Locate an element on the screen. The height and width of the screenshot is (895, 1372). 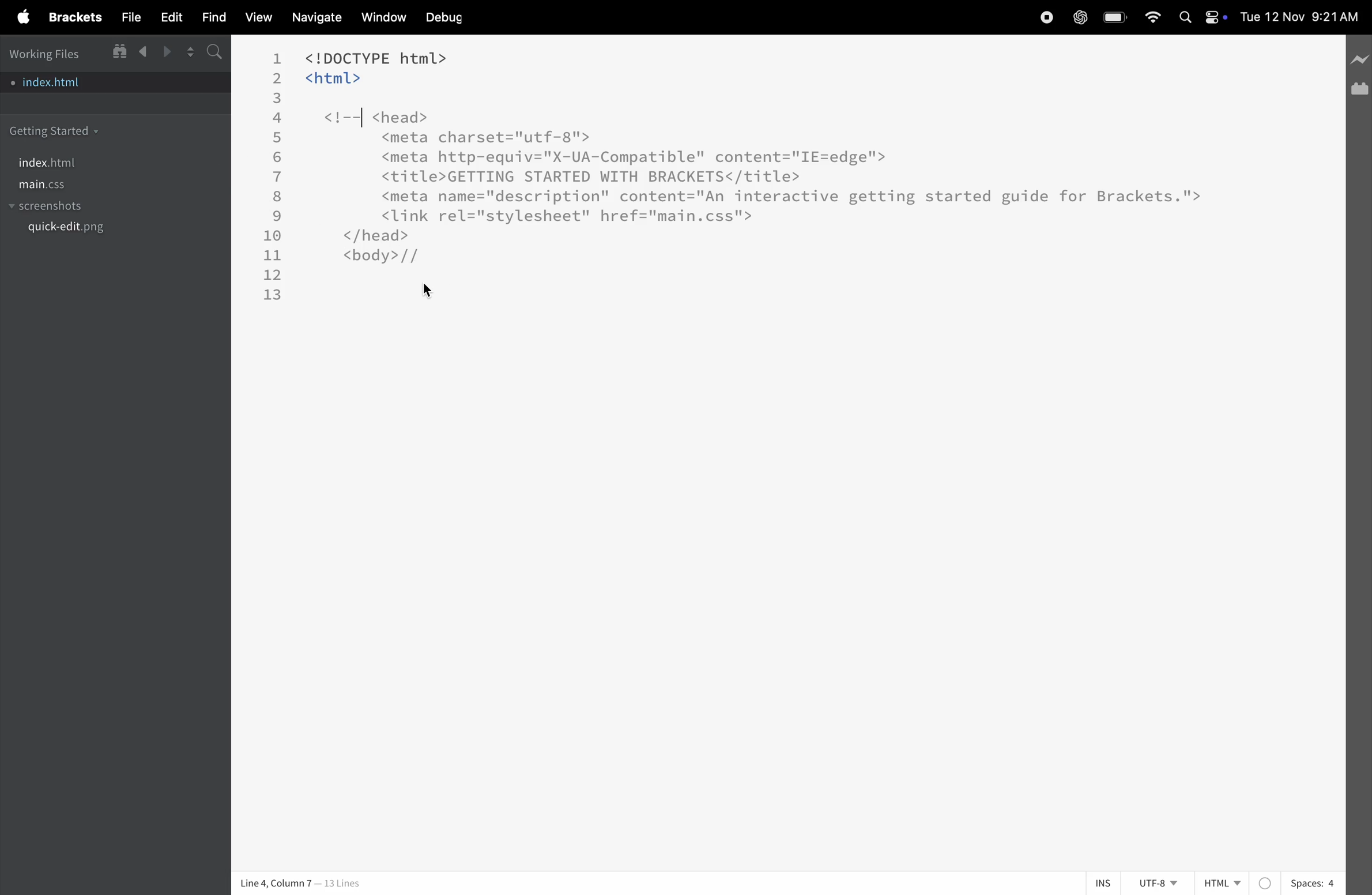
navigate is located at coordinates (314, 19).